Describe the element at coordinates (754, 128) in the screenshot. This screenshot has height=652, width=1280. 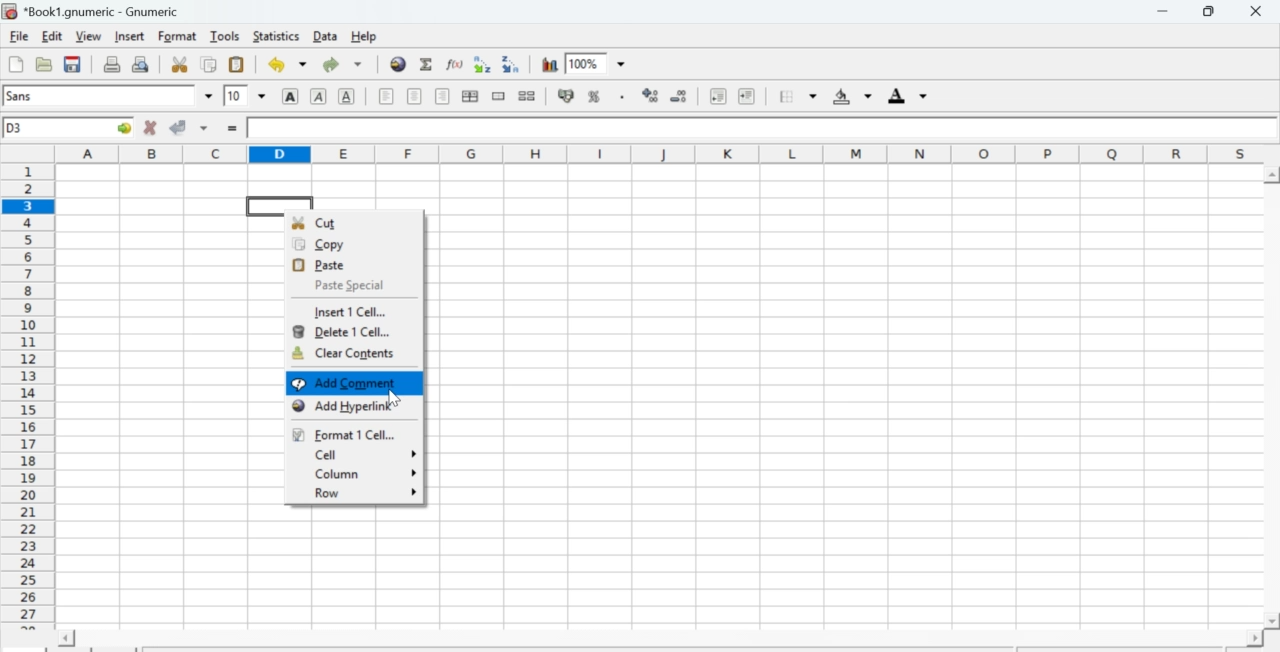
I see `Contents of the cell` at that location.